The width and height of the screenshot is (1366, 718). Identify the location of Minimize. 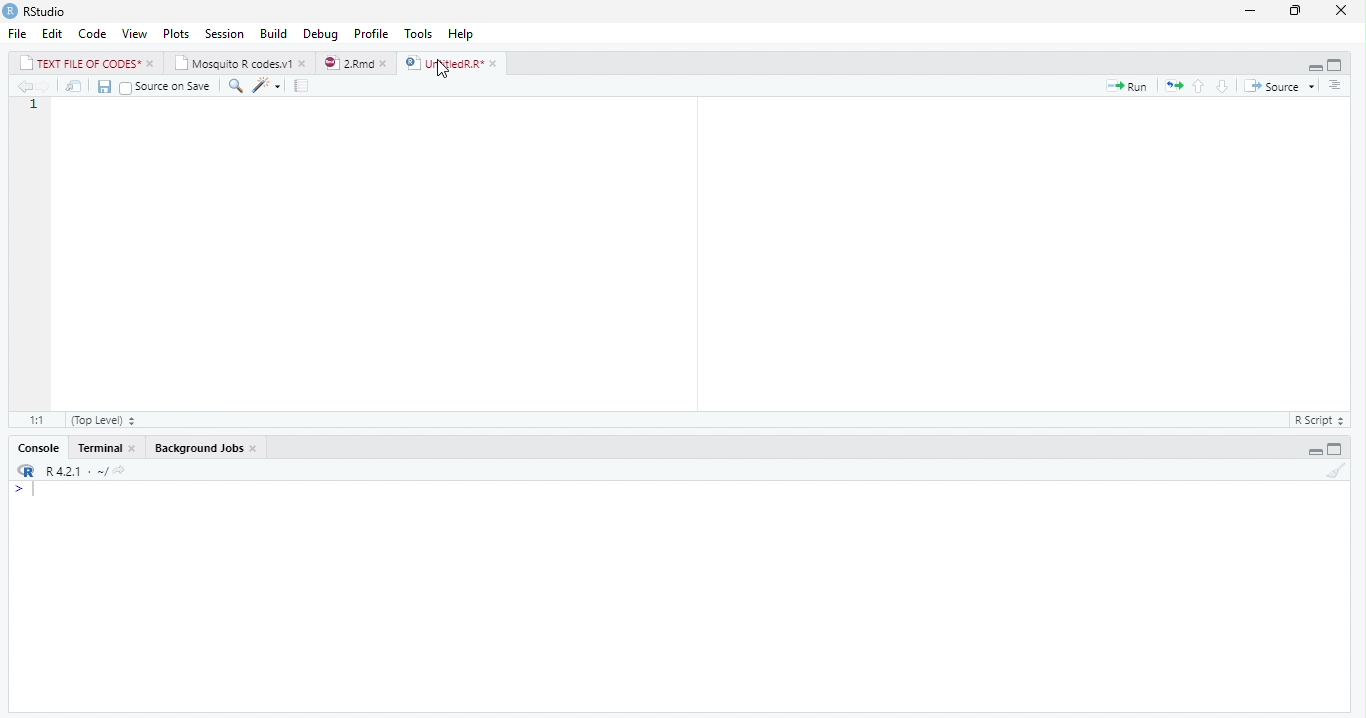
(1251, 10).